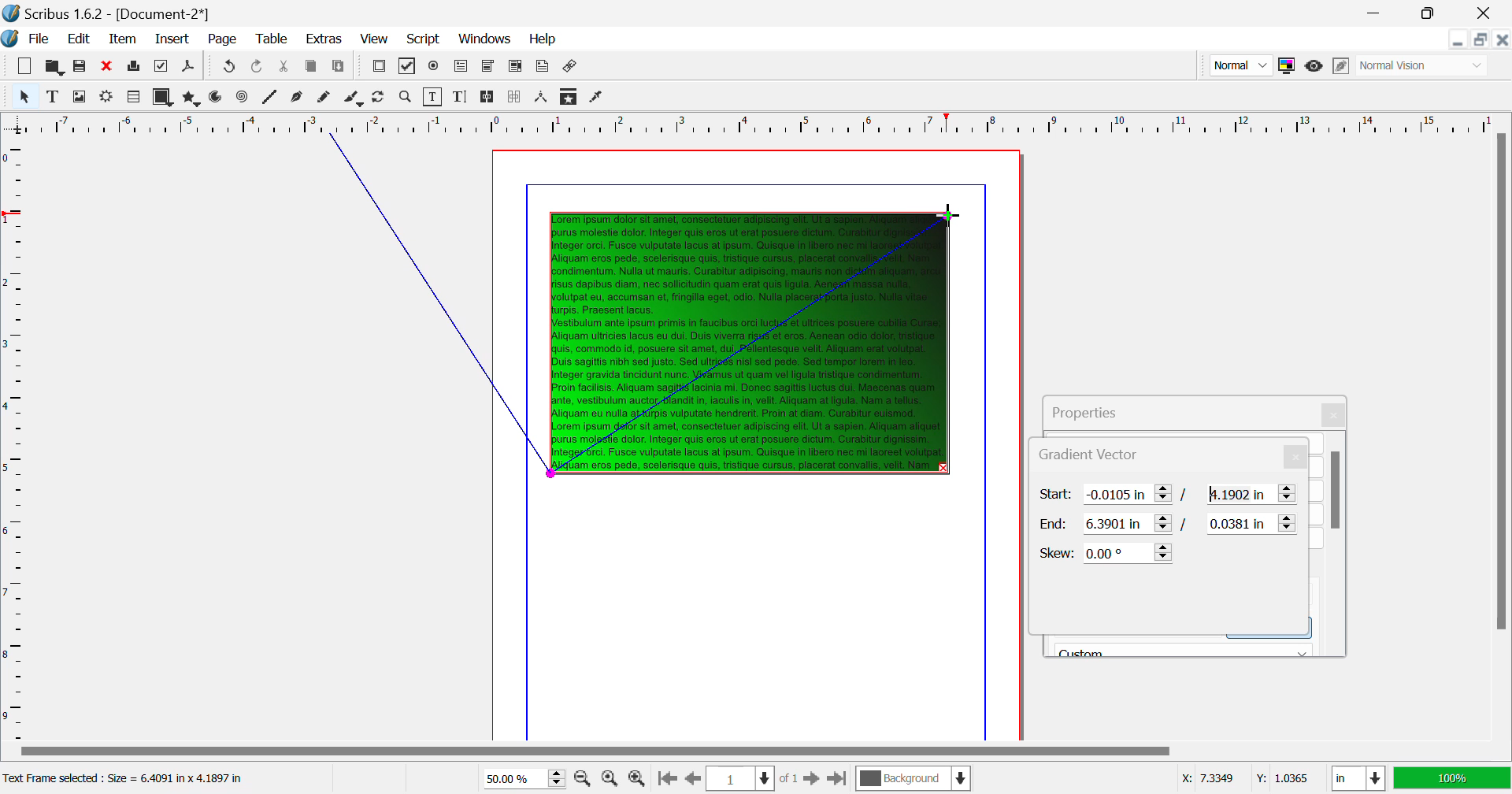 The image size is (1512, 794). What do you see at coordinates (106, 98) in the screenshot?
I see `Render Frame` at bounding box center [106, 98].